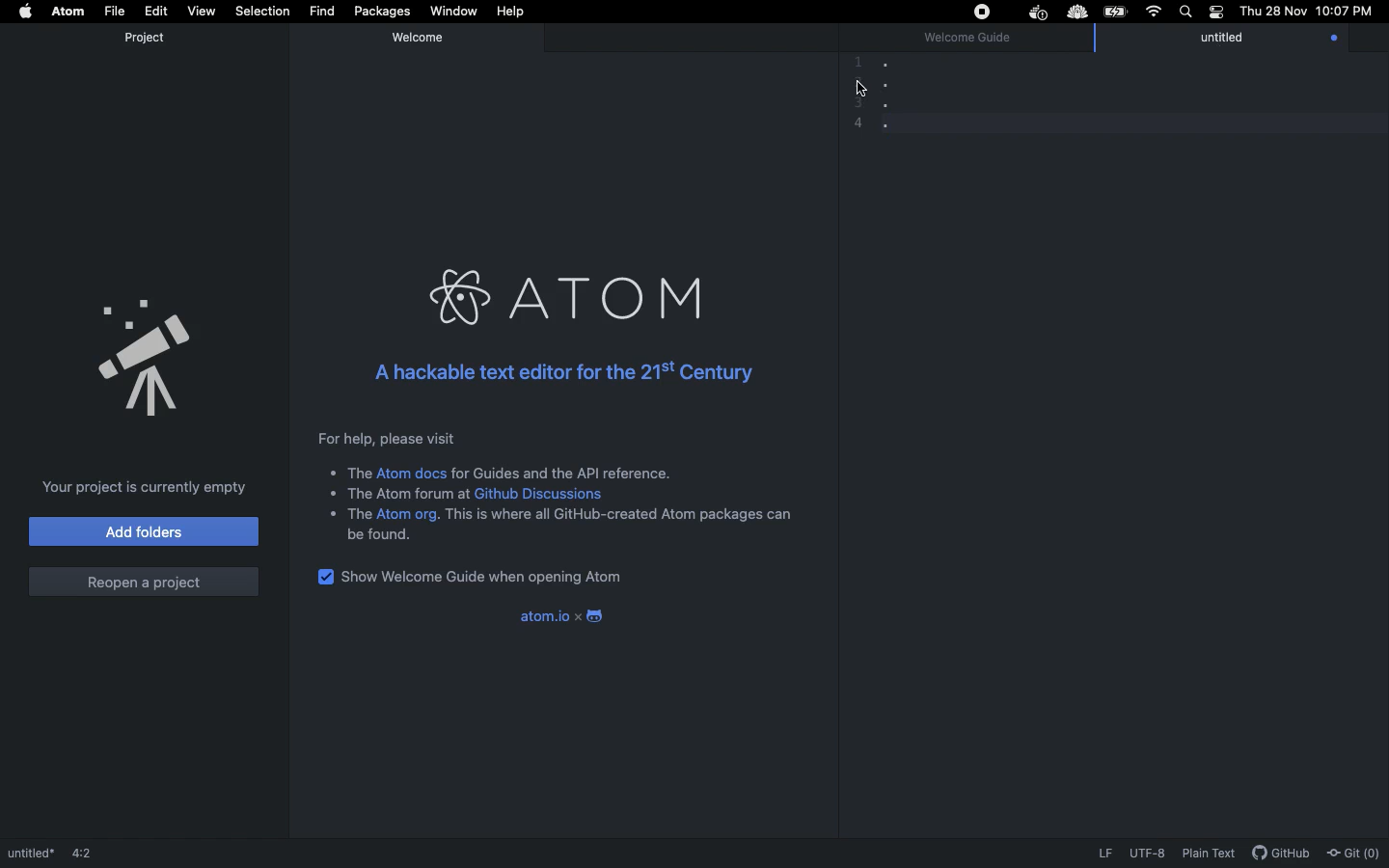 The height and width of the screenshot is (868, 1389). Describe the element at coordinates (380, 12) in the screenshot. I see `Packages` at that location.